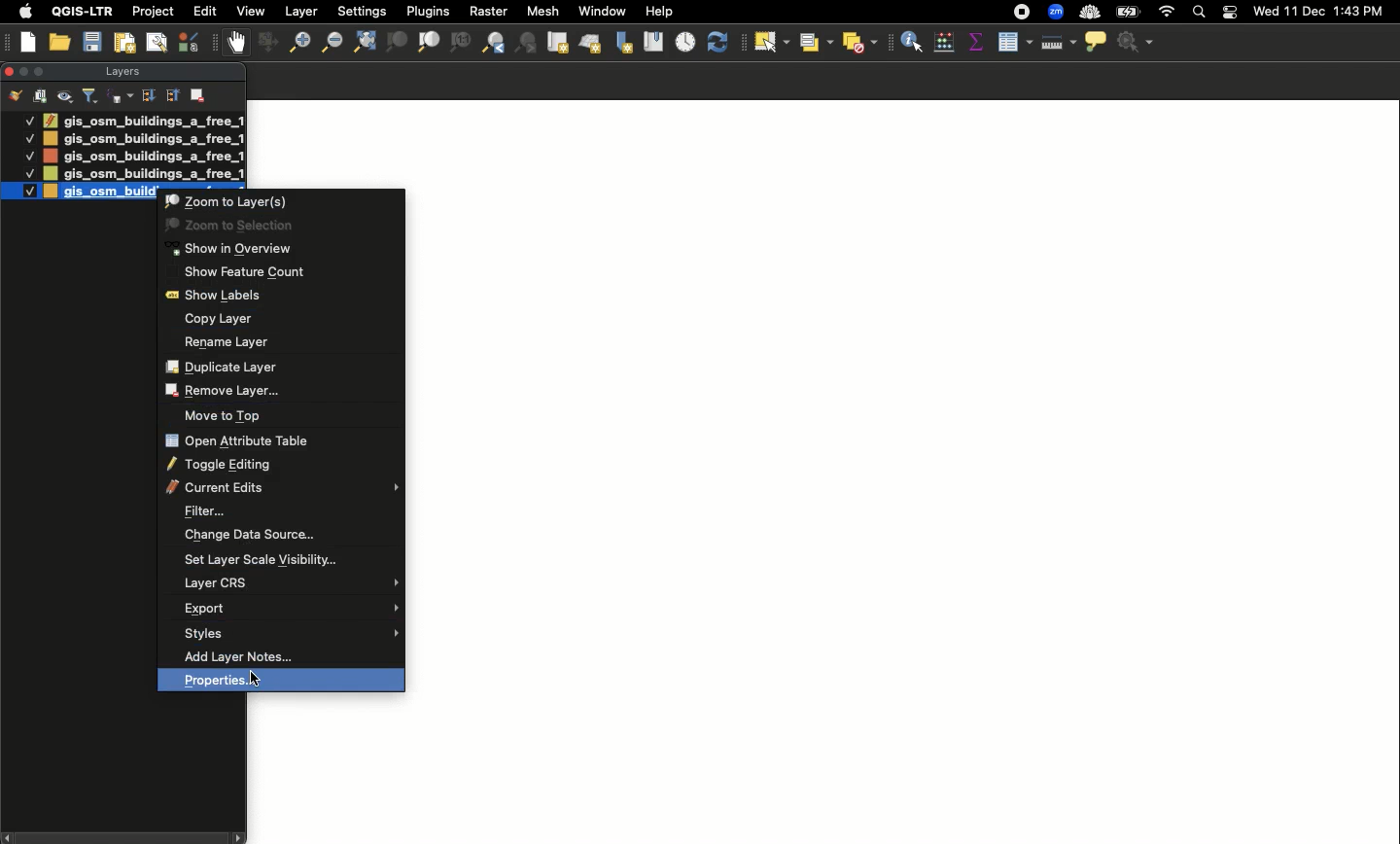 The image size is (1400, 844). I want to click on Zoom to selection, so click(397, 43).